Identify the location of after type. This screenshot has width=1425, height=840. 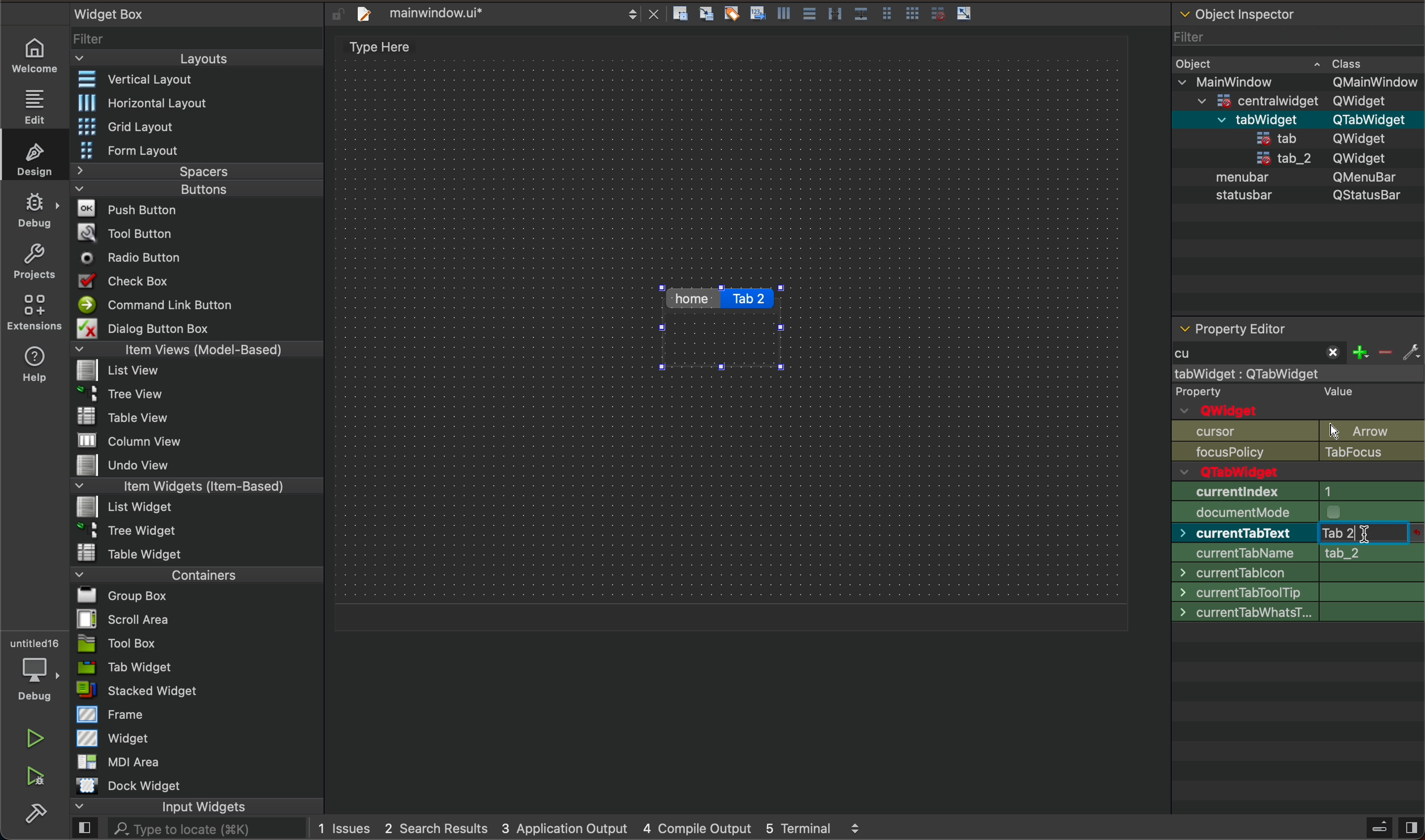
(1367, 534).